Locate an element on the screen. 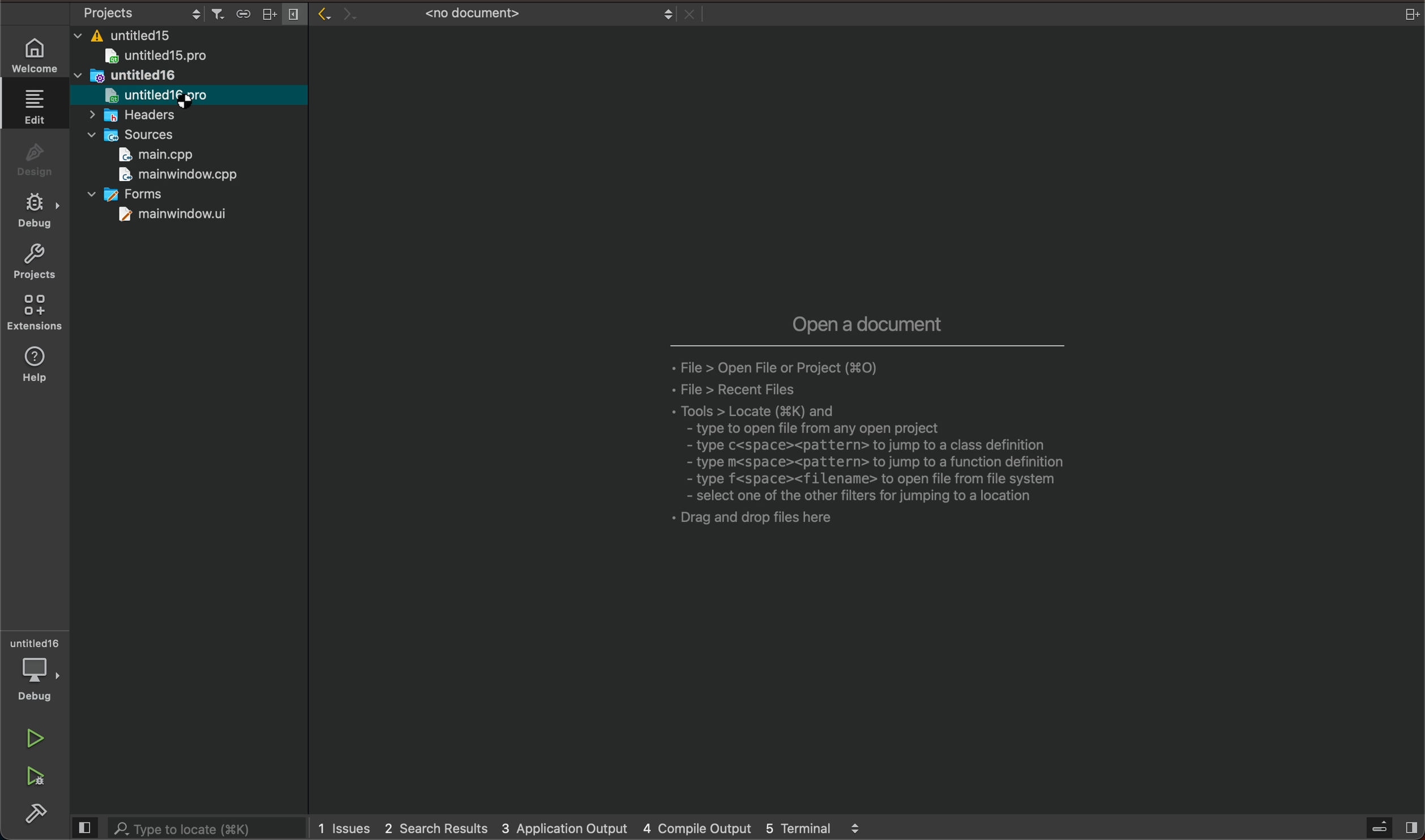  headers is located at coordinates (144, 116).